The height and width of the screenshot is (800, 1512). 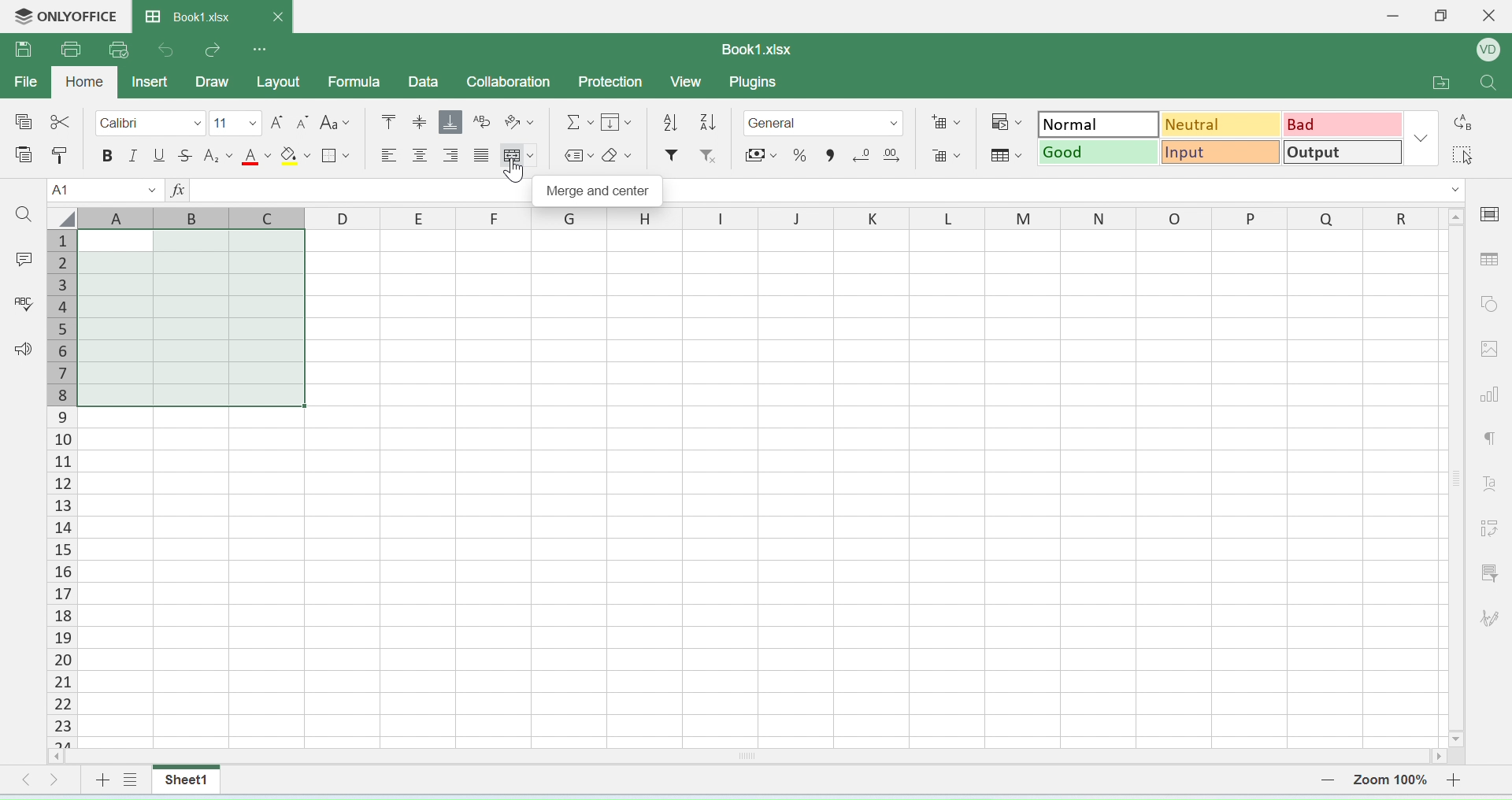 What do you see at coordinates (824, 123) in the screenshot?
I see `format` at bounding box center [824, 123].